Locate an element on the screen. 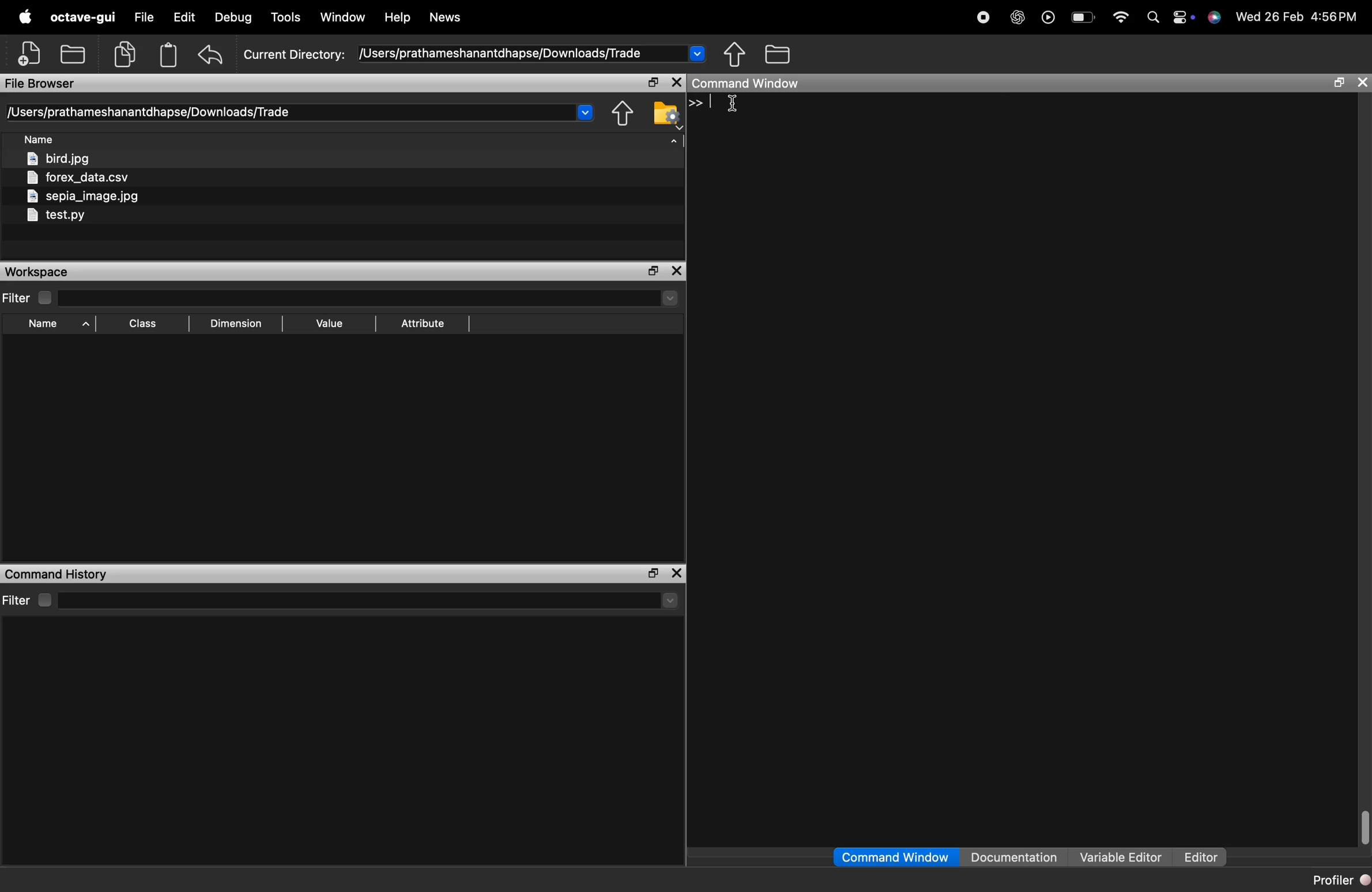 This screenshot has width=1372, height=892. /Users/prathameshanantdhapse/Downloads/Trade is located at coordinates (501, 54).